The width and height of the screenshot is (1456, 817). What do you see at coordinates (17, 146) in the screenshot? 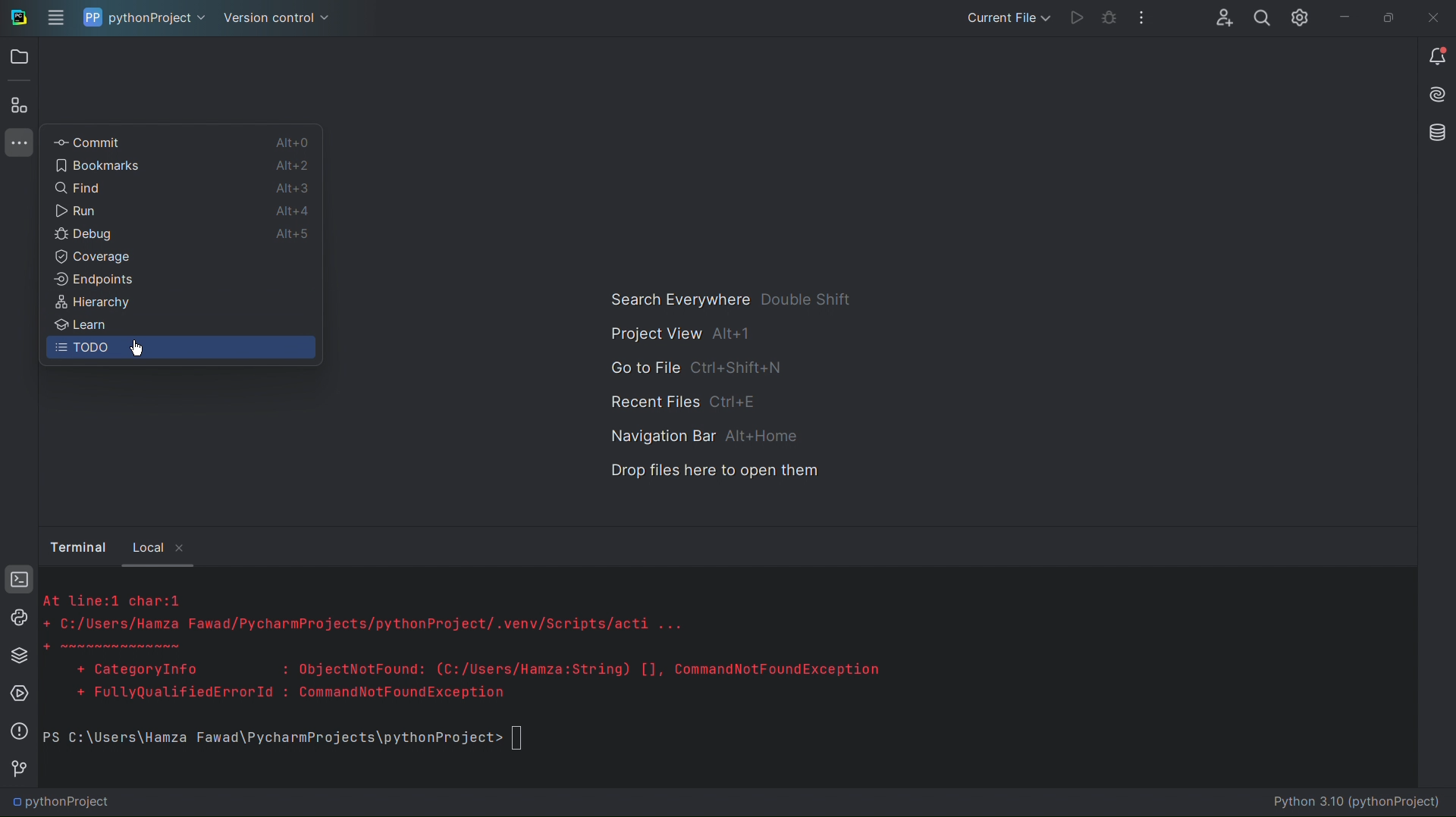
I see `More ` at bounding box center [17, 146].